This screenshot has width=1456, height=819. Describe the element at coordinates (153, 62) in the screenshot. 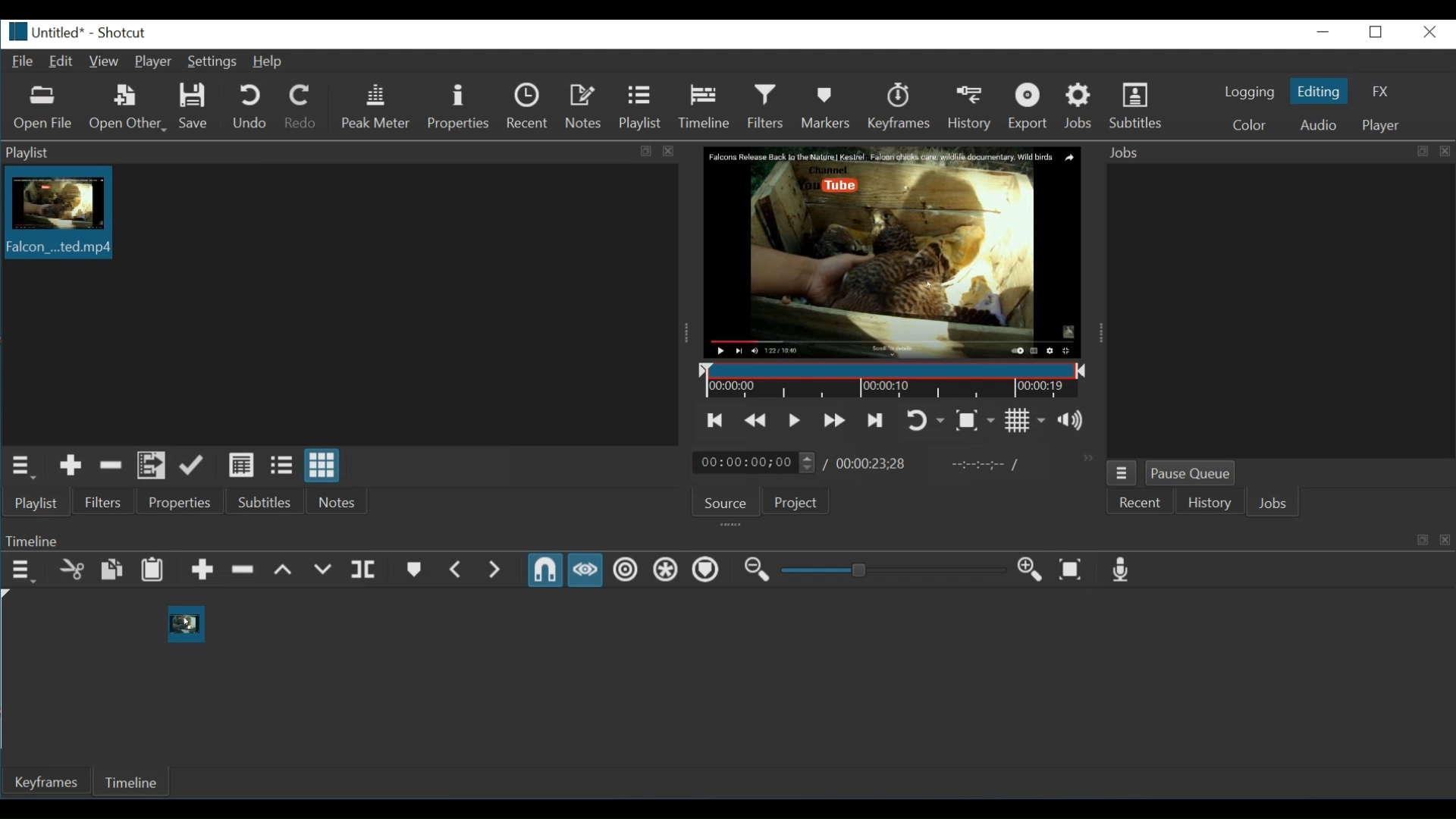

I see `Player` at that location.